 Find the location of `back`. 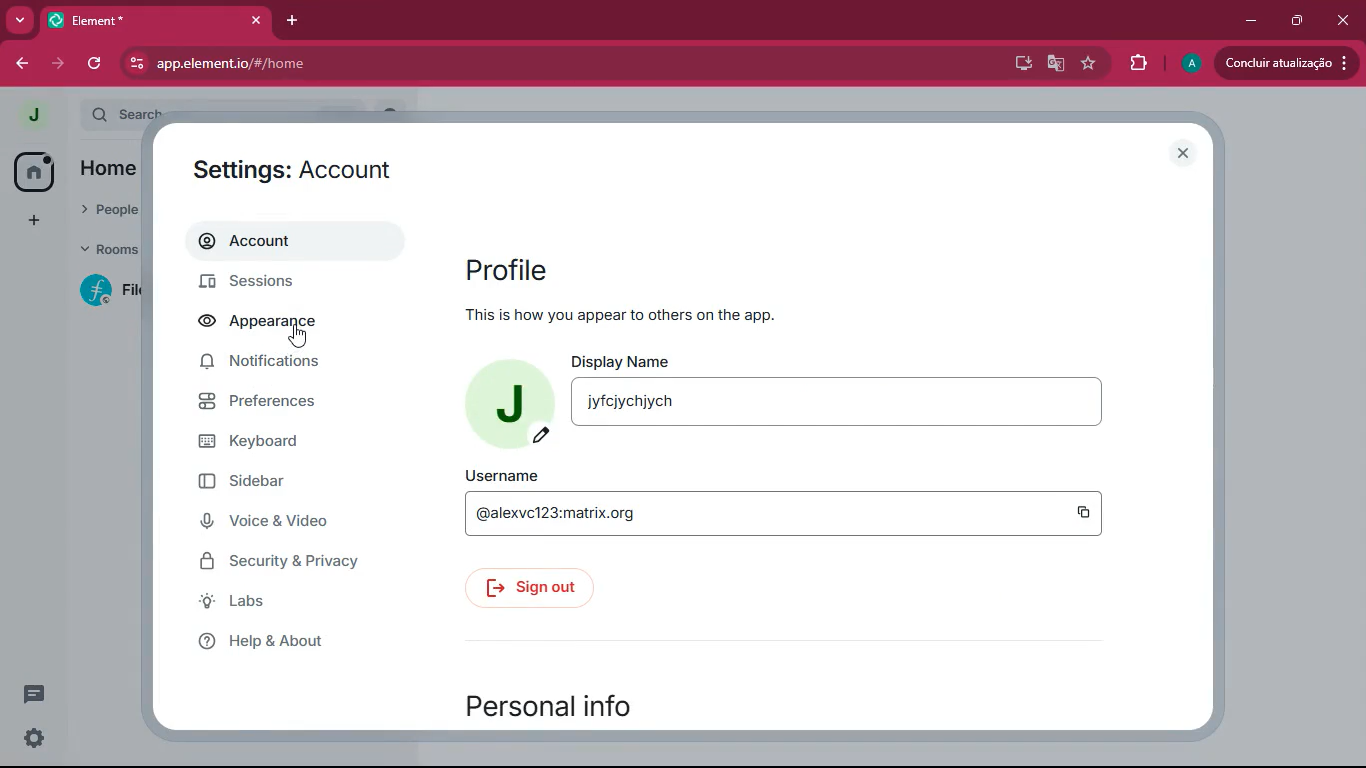

back is located at coordinates (21, 66).